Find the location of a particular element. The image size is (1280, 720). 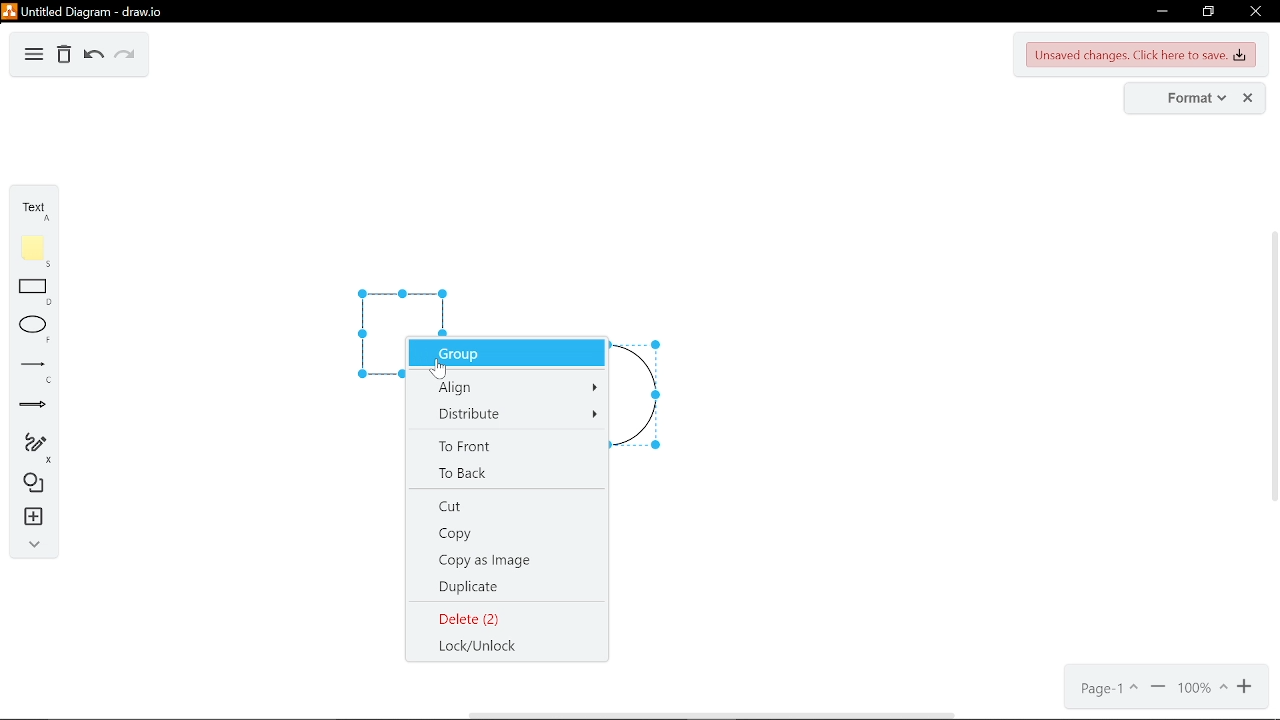

zoom out is located at coordinates (1158, 689).